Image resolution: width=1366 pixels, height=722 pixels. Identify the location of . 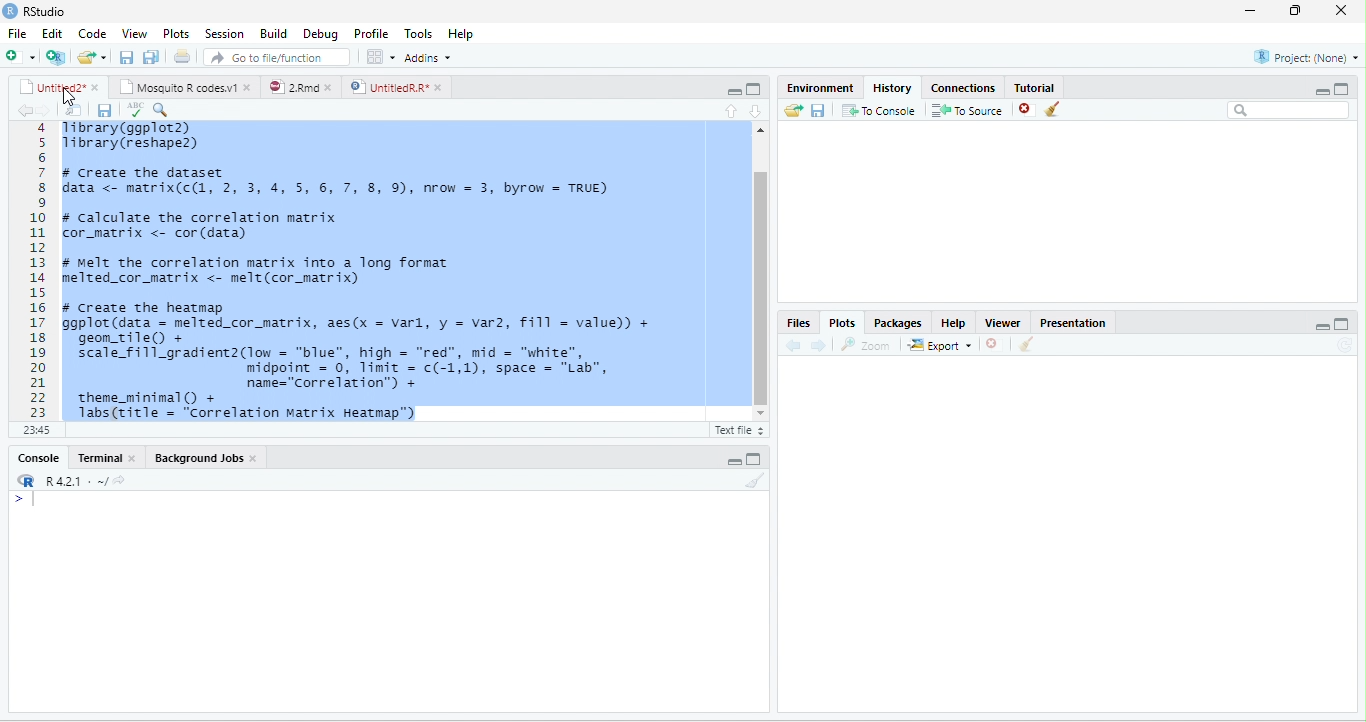
(1305, 323).